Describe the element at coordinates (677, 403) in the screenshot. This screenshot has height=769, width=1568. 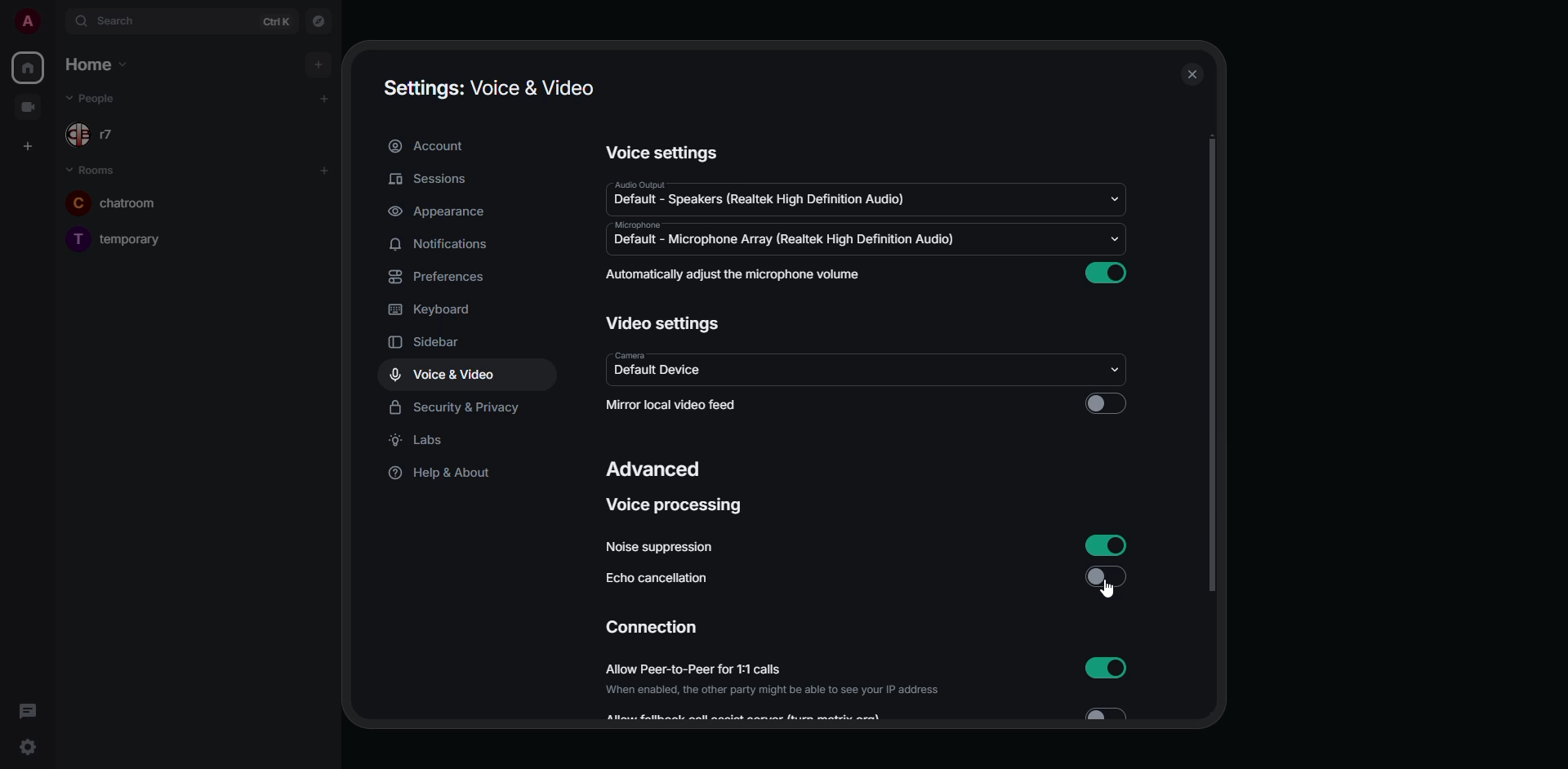
I see `mirror local video feed` at that location.